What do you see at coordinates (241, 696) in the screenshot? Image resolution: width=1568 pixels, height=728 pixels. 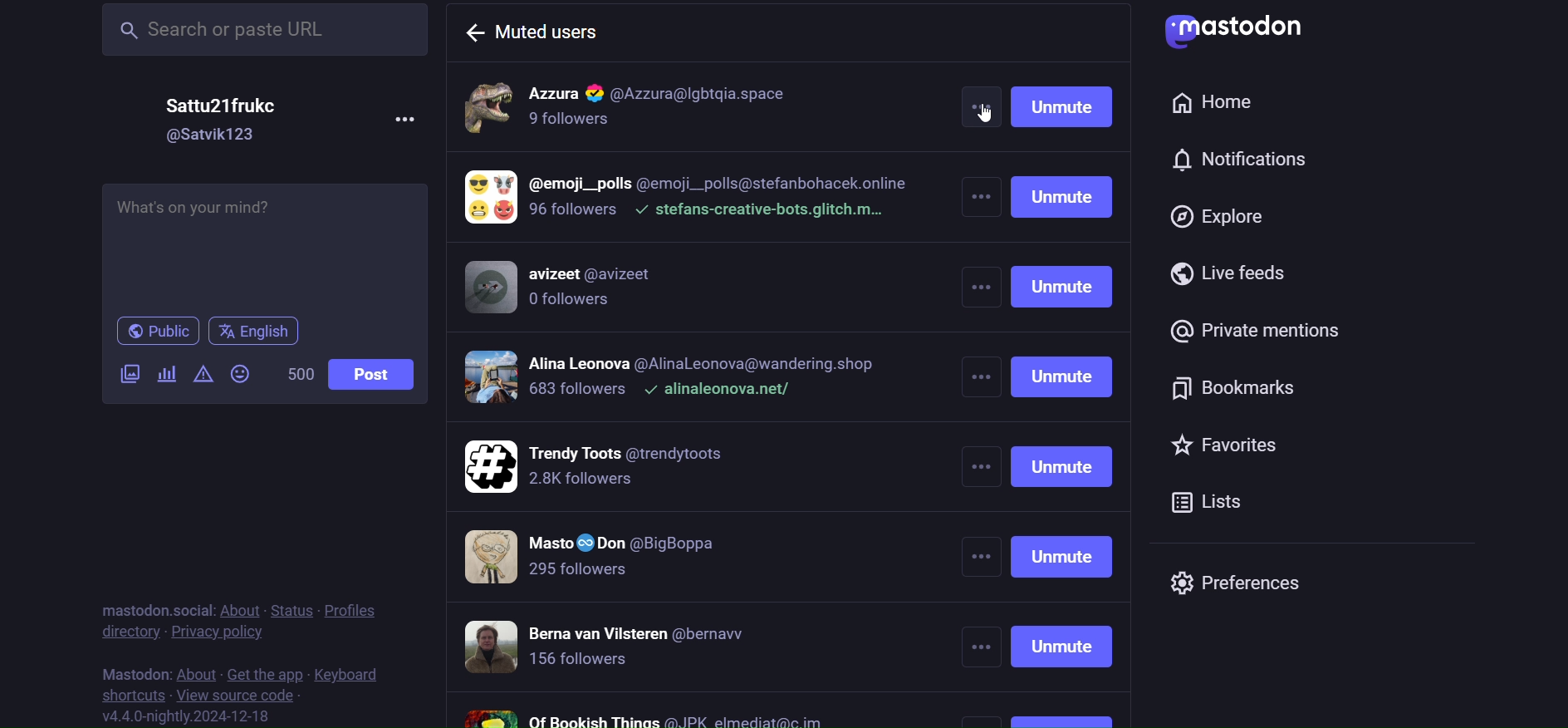 I see `source code` at bounding box center [241, 696].